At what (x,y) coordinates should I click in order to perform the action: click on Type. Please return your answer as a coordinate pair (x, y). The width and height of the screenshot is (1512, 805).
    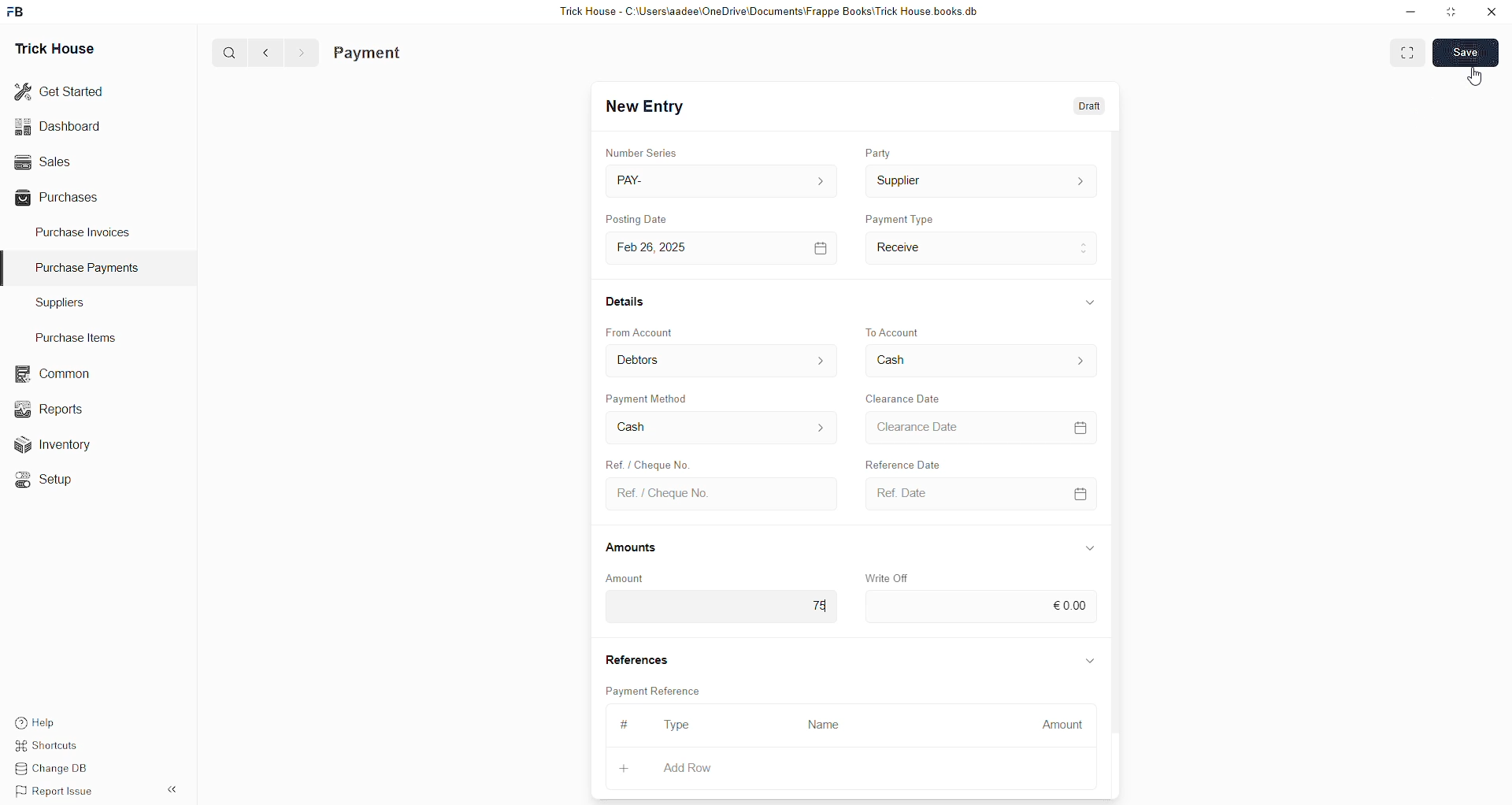
    Looking at the image, I should click on (680, 725).